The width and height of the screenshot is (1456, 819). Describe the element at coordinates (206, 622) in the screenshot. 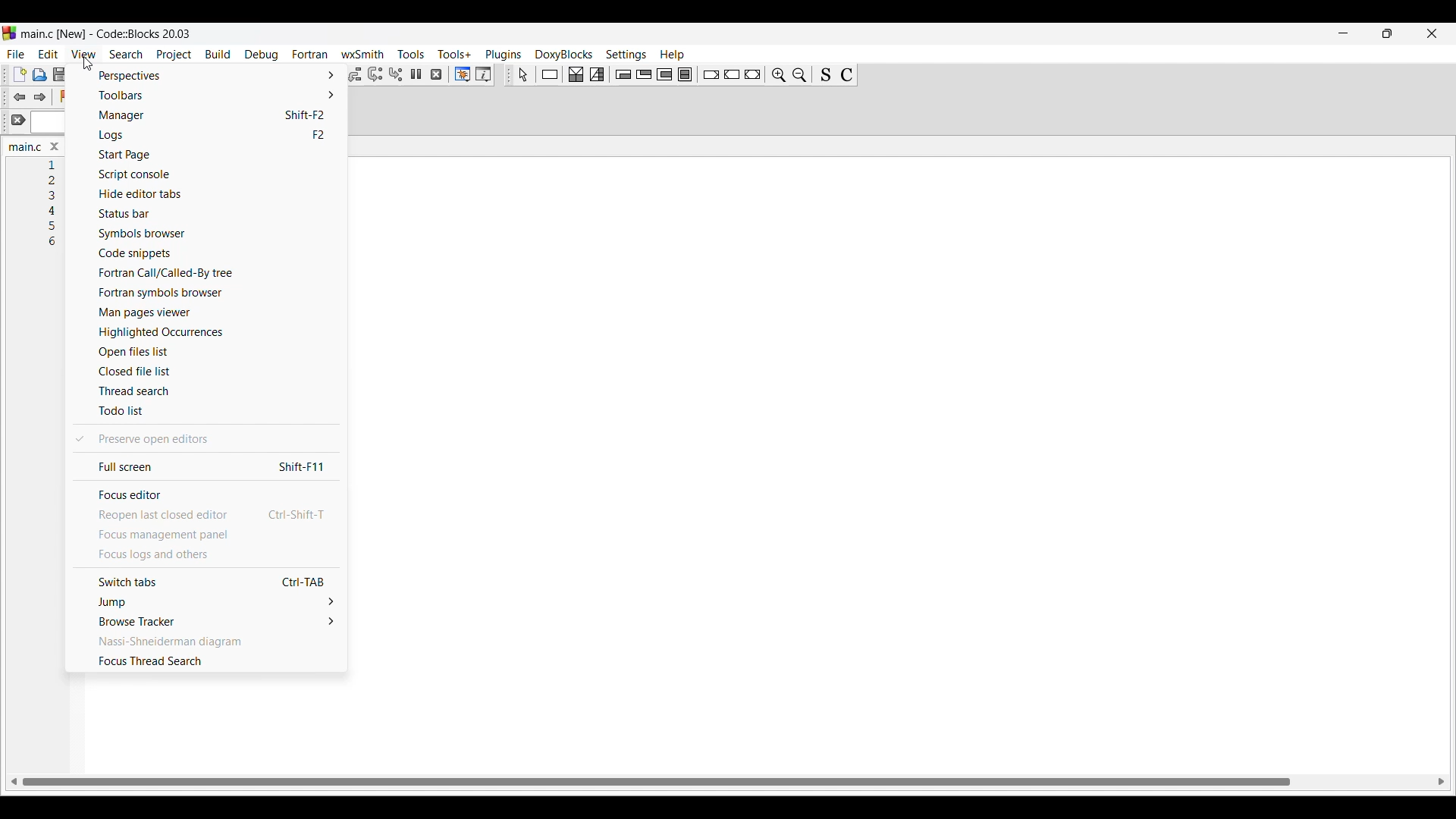

I see `Browse tracker options` at that location.